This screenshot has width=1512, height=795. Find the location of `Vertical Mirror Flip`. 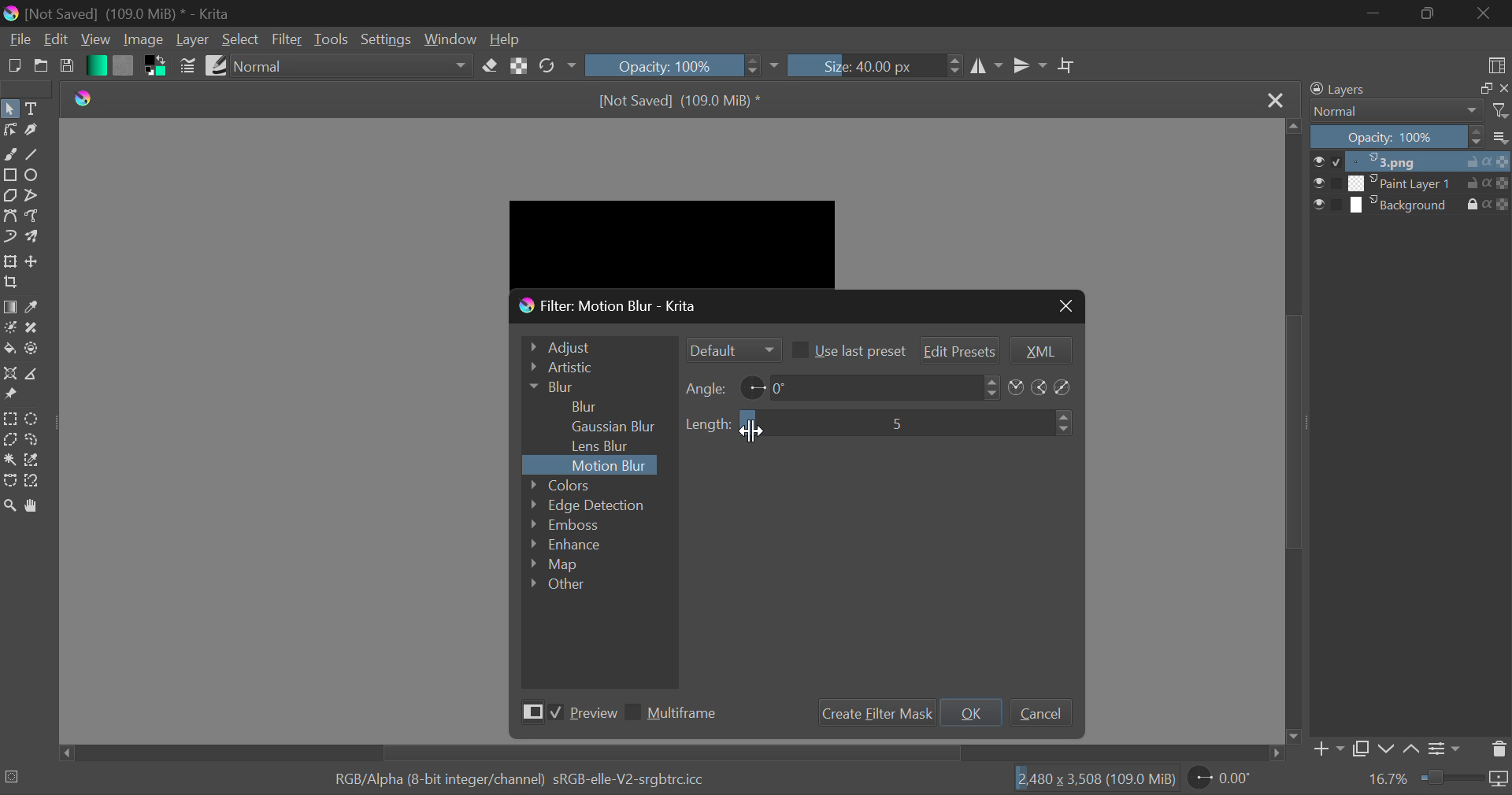

Vertical Mirror Flip is located at coordinates (988, 68).